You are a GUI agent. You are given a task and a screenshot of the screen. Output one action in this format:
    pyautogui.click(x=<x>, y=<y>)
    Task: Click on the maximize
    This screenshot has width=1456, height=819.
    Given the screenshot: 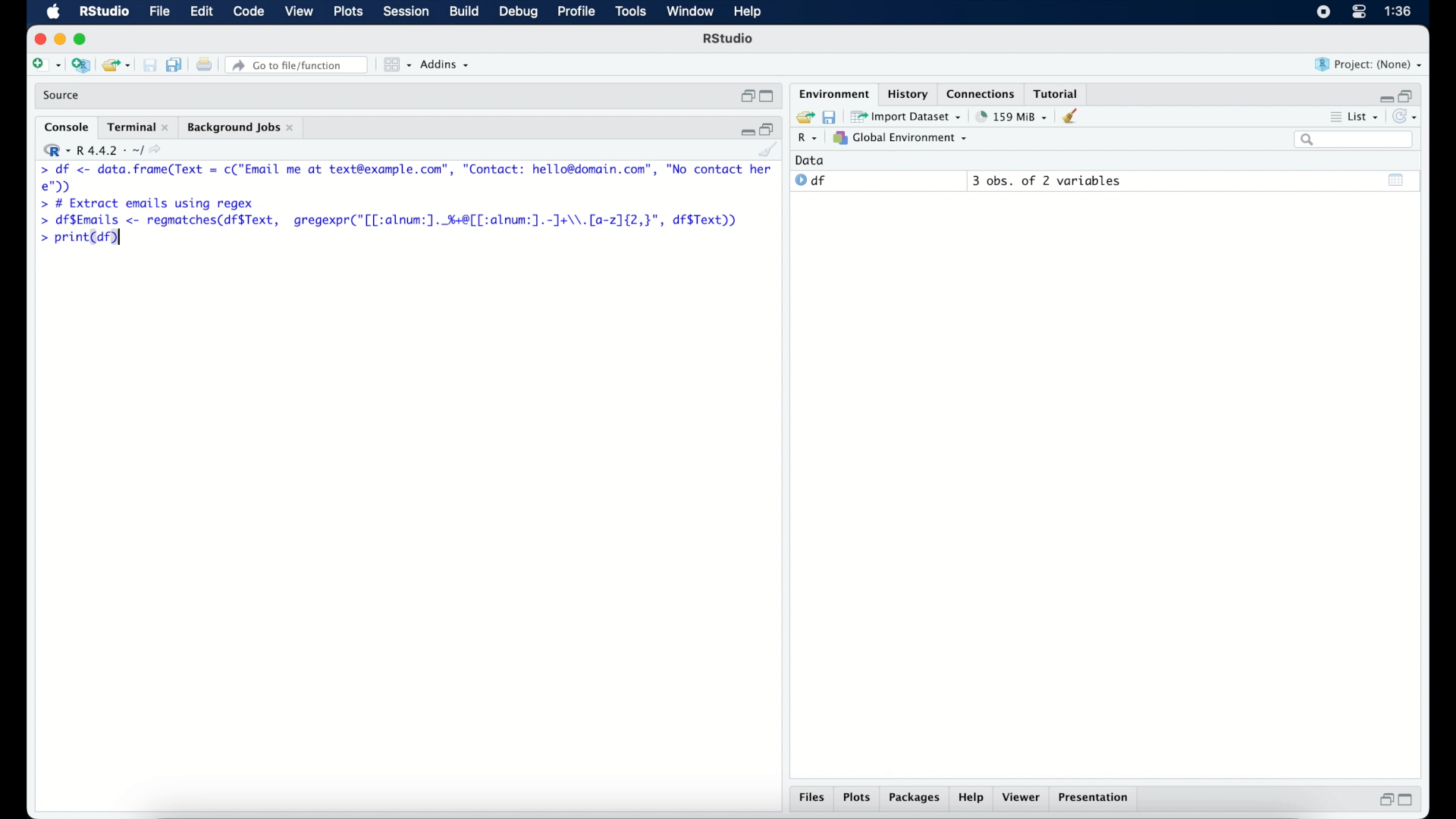 What is the action you would take?
    pyautogui.click(x=766, y=96)
    